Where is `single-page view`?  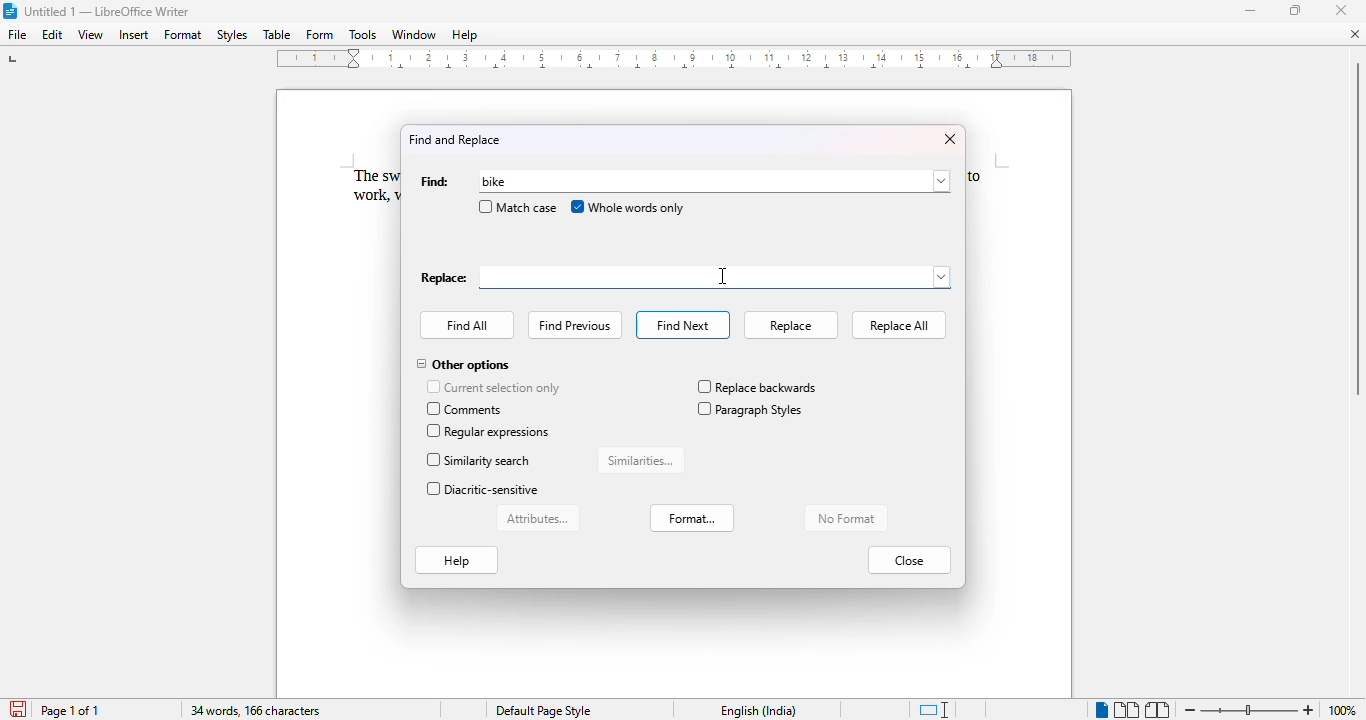
single-page view is located at coordinates (1101, 710).